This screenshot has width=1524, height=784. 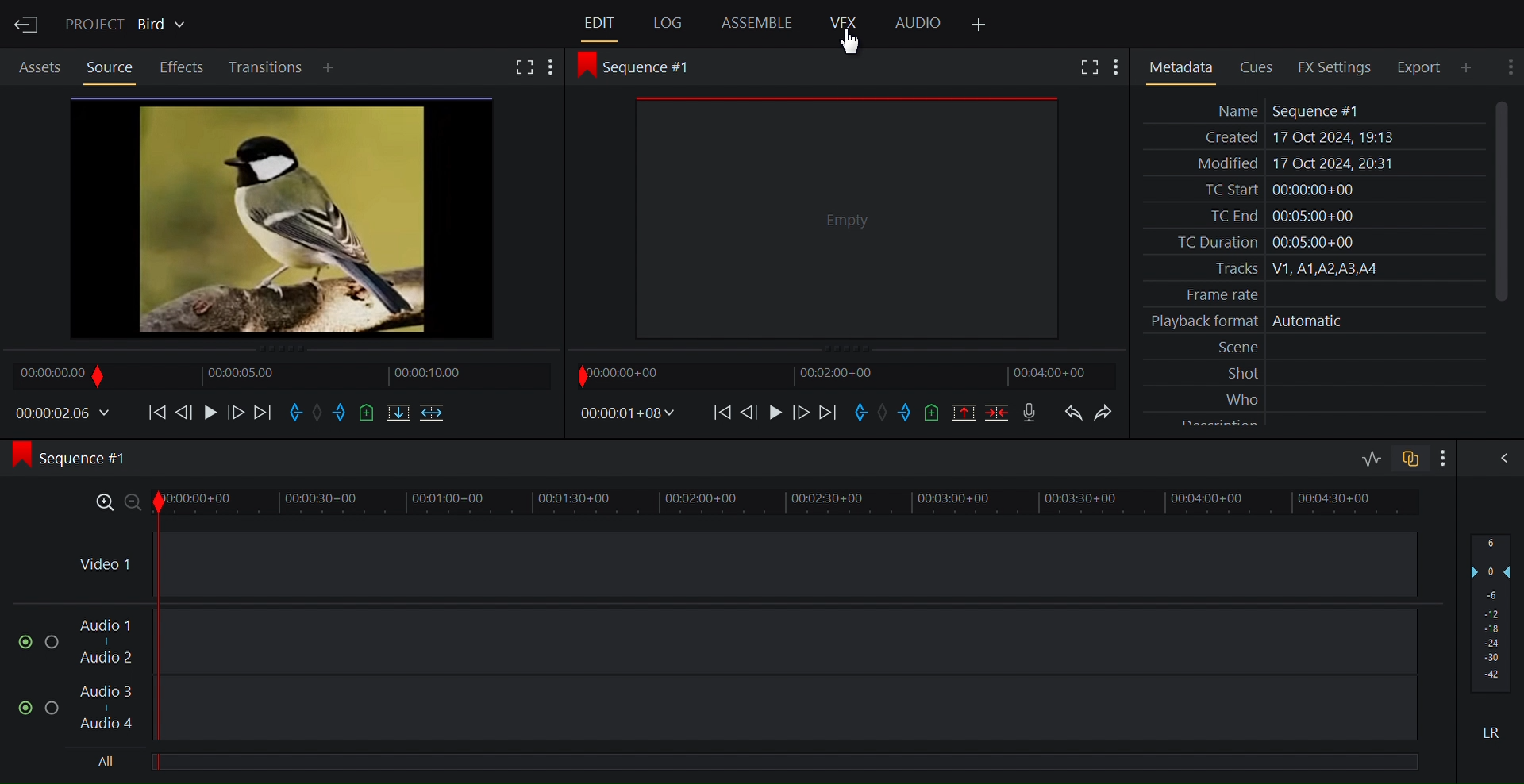 What do you see at coordinates (279, 217) in the screenshot?
I see `Show source clips` at bounding box center [279, 217].